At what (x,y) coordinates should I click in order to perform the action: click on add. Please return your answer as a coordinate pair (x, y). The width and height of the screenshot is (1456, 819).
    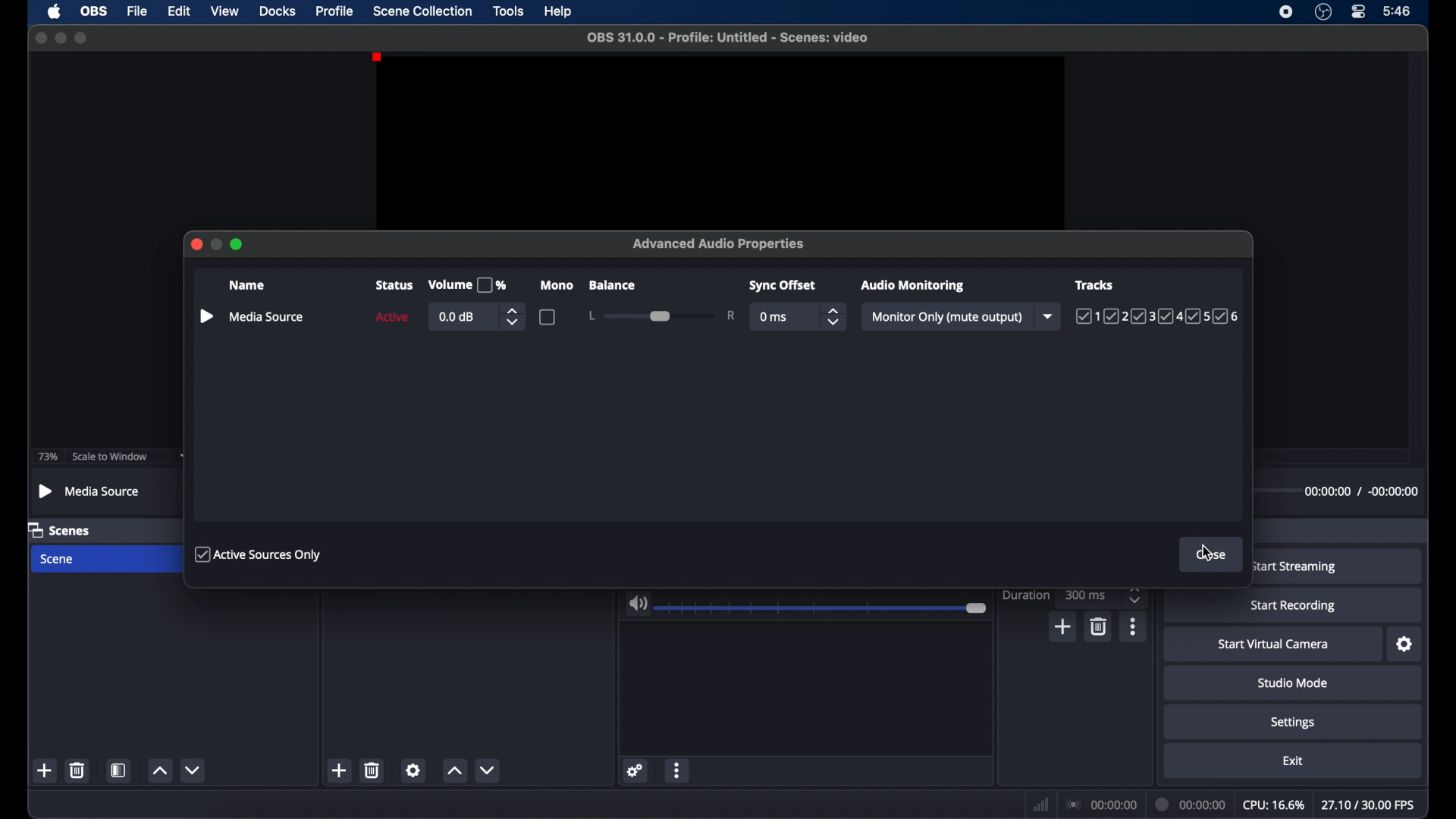
    Looking at the image, I should click on (340, 770).